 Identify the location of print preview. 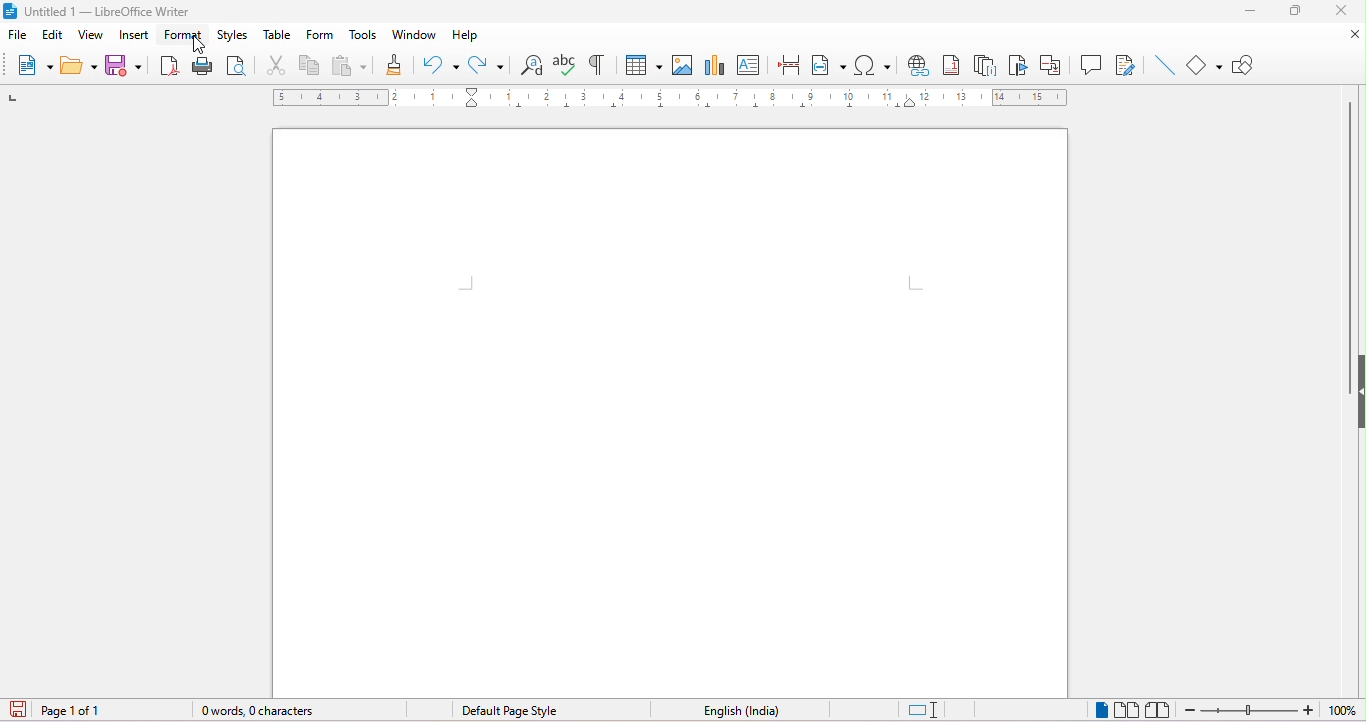
(240, 69).